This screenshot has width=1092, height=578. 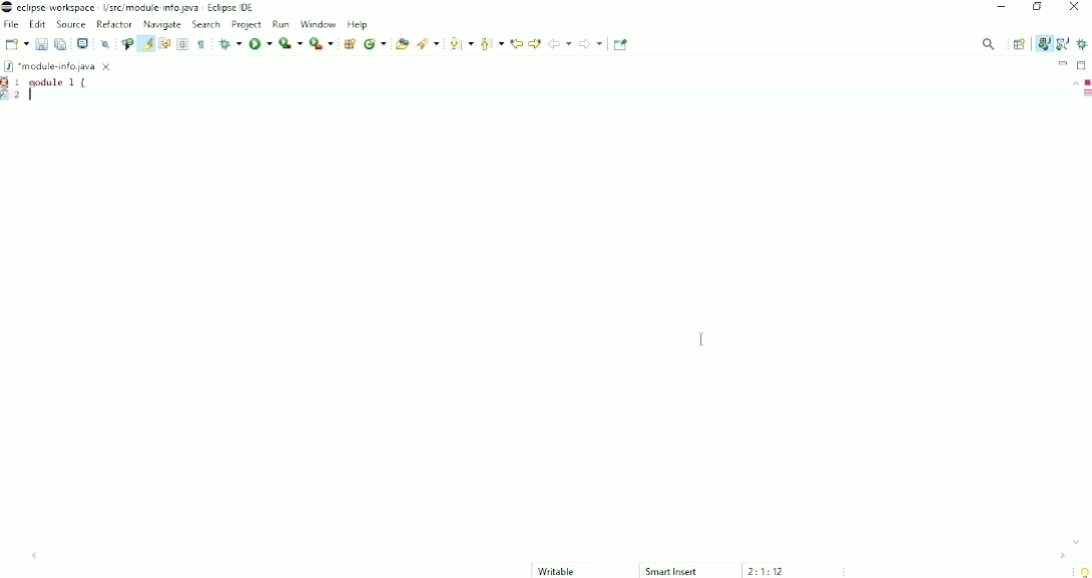 I want to click on Close, so click(x=1076, y=8).